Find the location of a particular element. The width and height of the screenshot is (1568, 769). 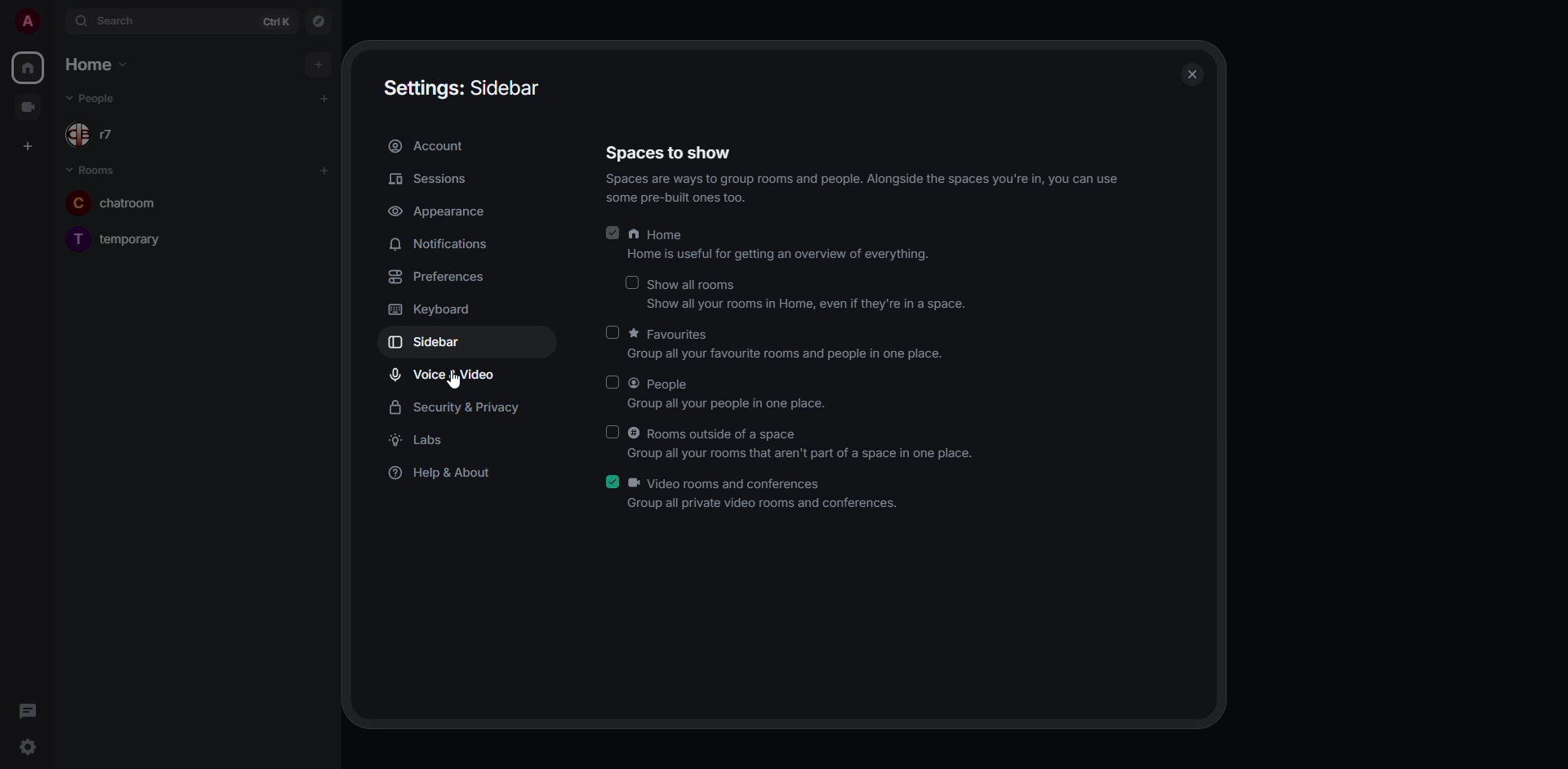

enabled is located at coordinates (610, 482).